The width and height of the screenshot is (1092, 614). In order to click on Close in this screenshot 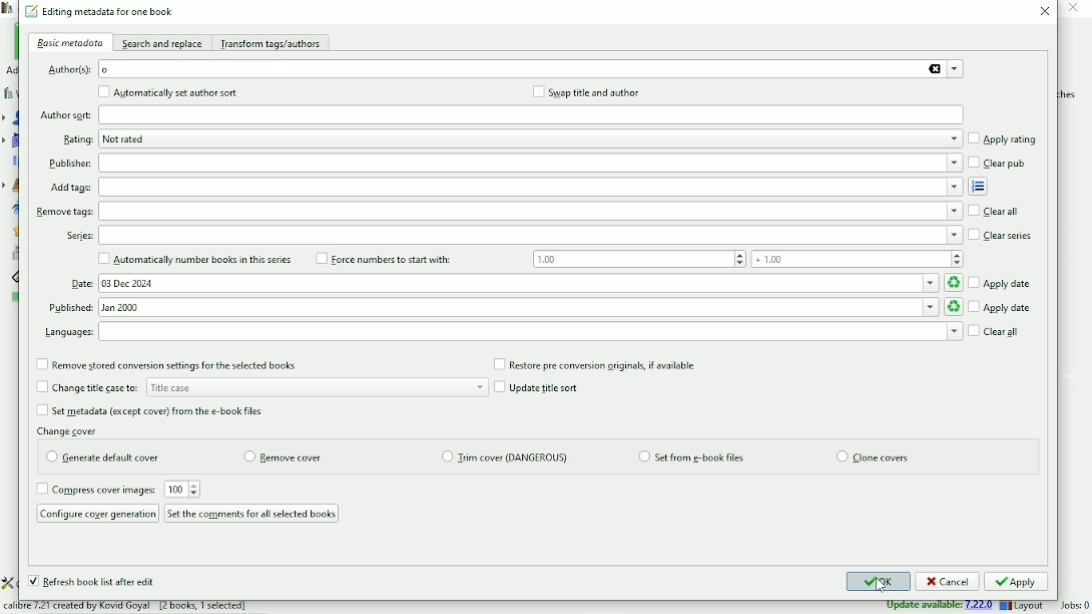, I will do `click(1046, 12)`.